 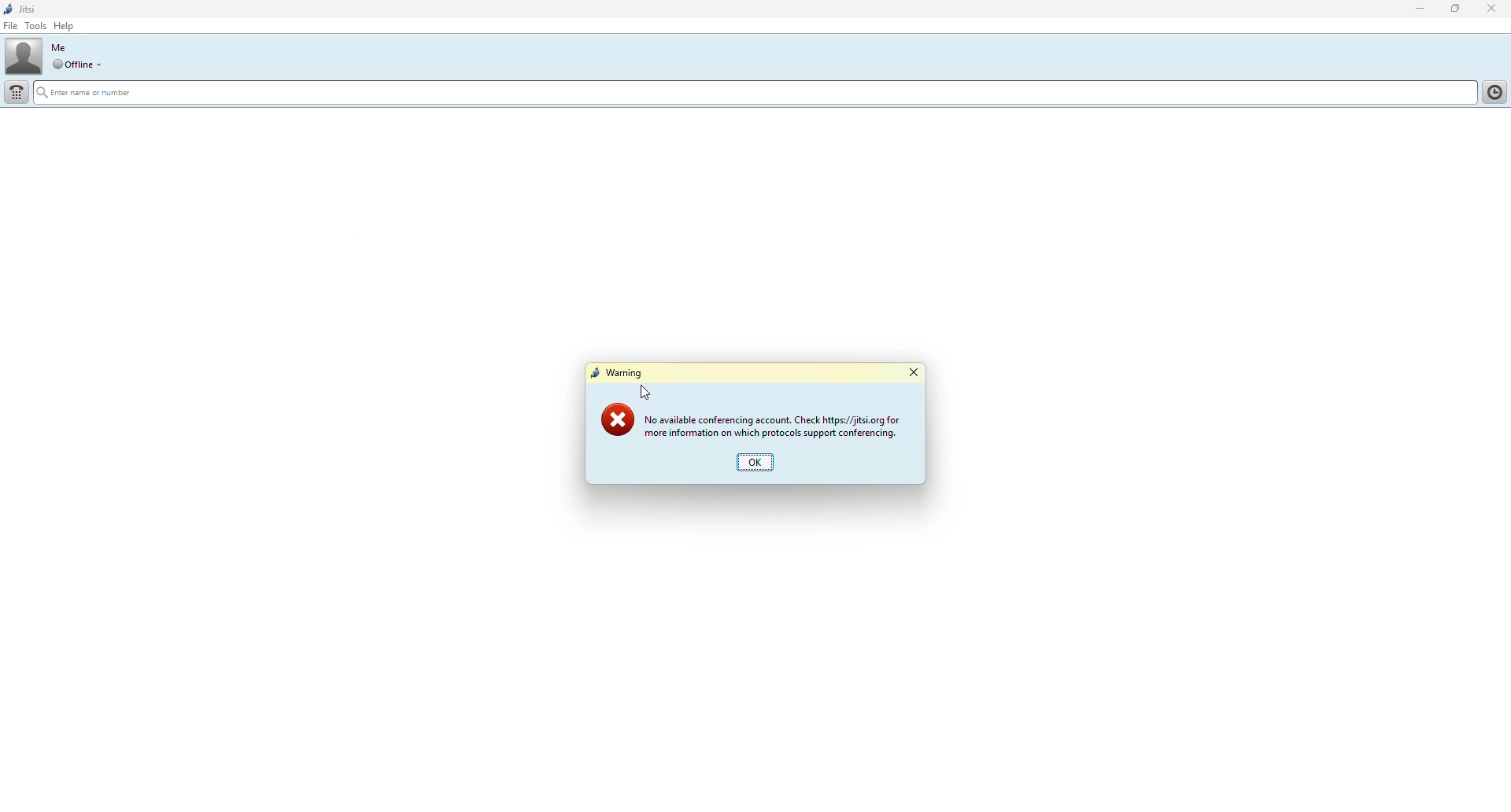 What do you see at coordinates (17, 92) in the screenshot?
I see `dialpad` at bounding box center [17, 92].